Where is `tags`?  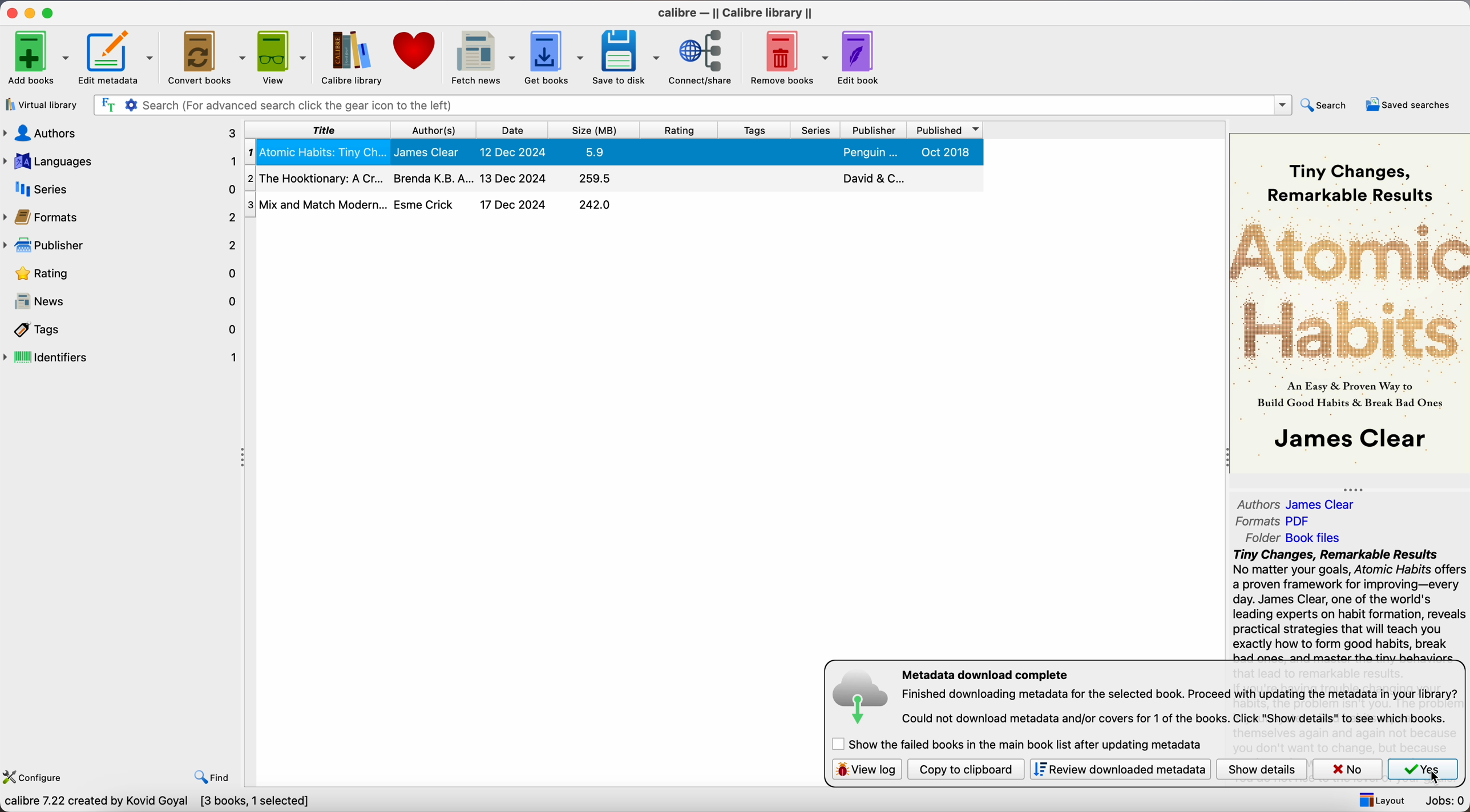 tags is located at coordinates (754, 130).